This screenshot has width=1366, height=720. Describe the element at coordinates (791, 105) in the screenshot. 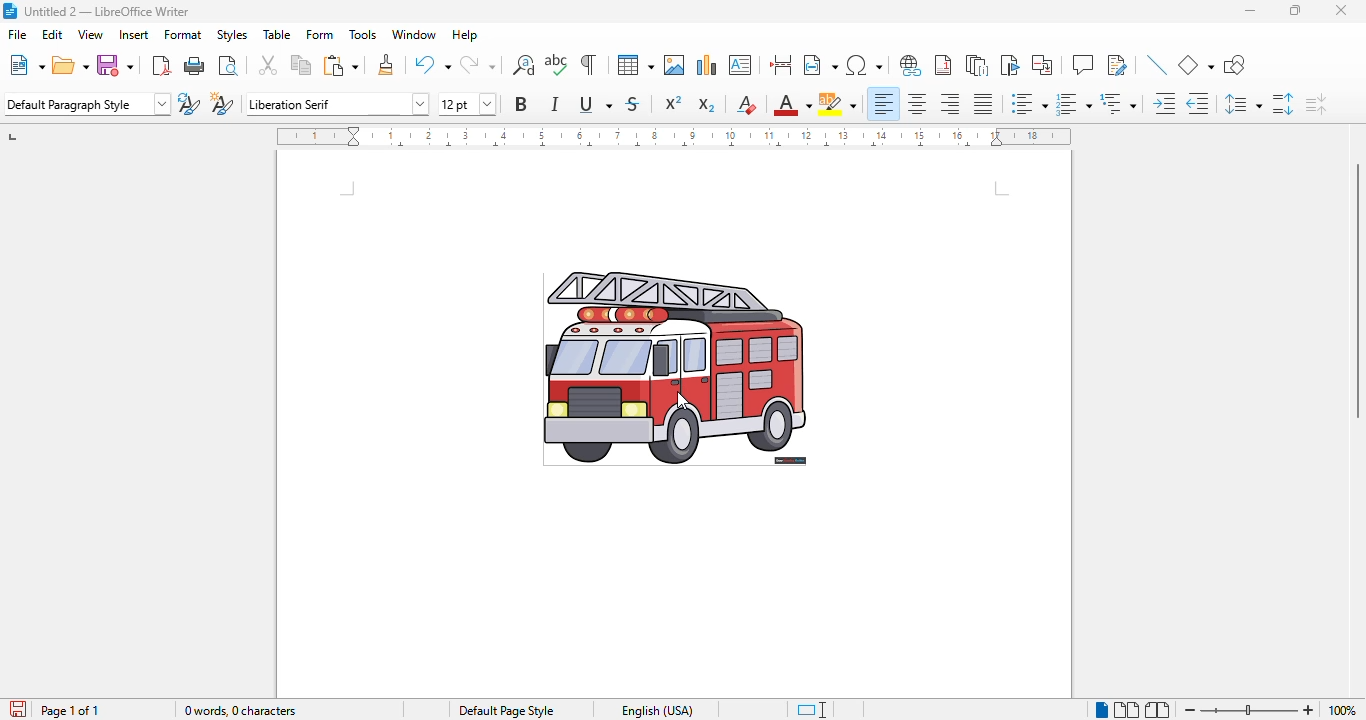

I see `font color` at that location.